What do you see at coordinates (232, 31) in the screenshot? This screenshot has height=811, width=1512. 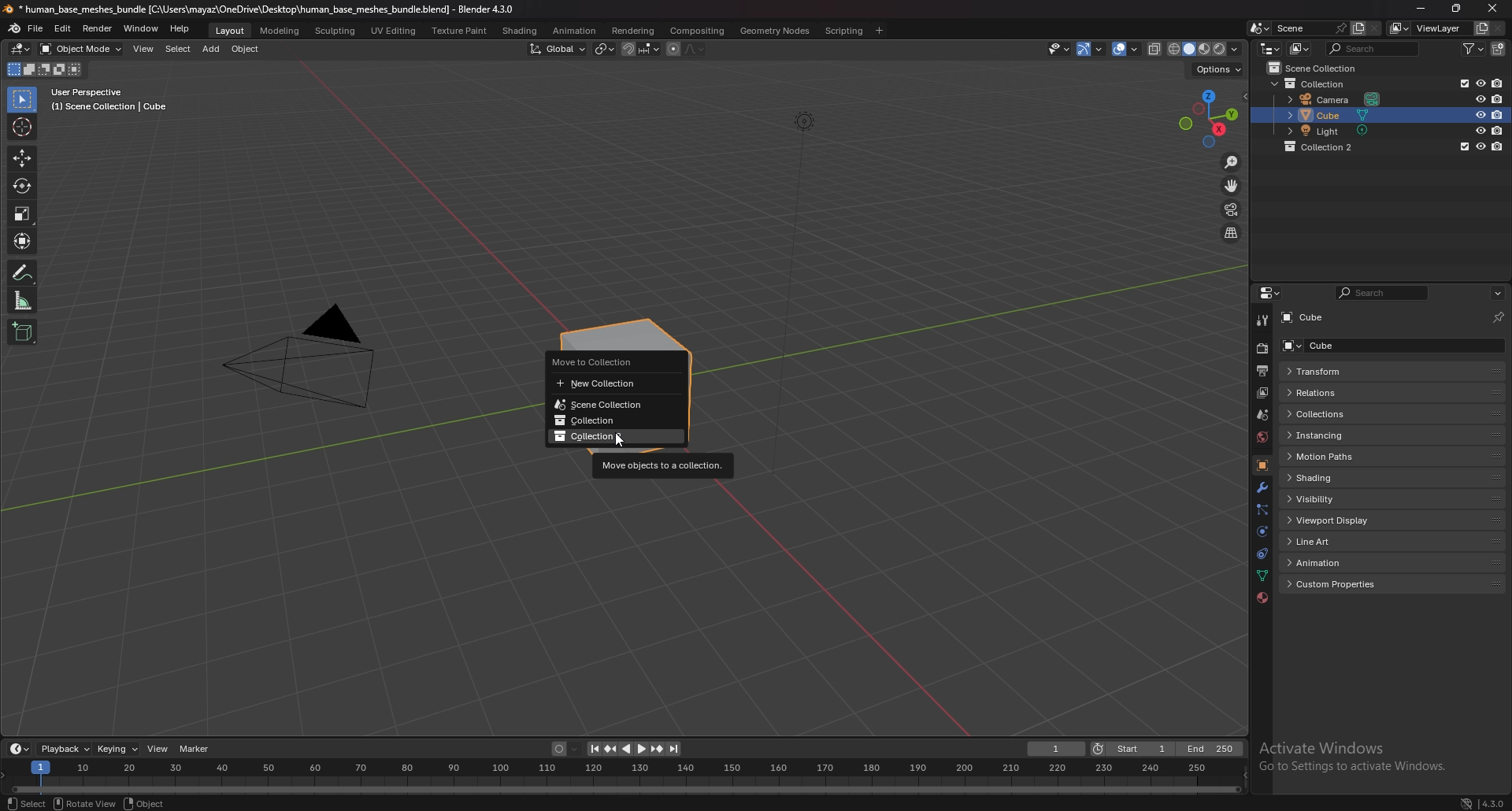 I see `layout` at bounding box center [232, 31].